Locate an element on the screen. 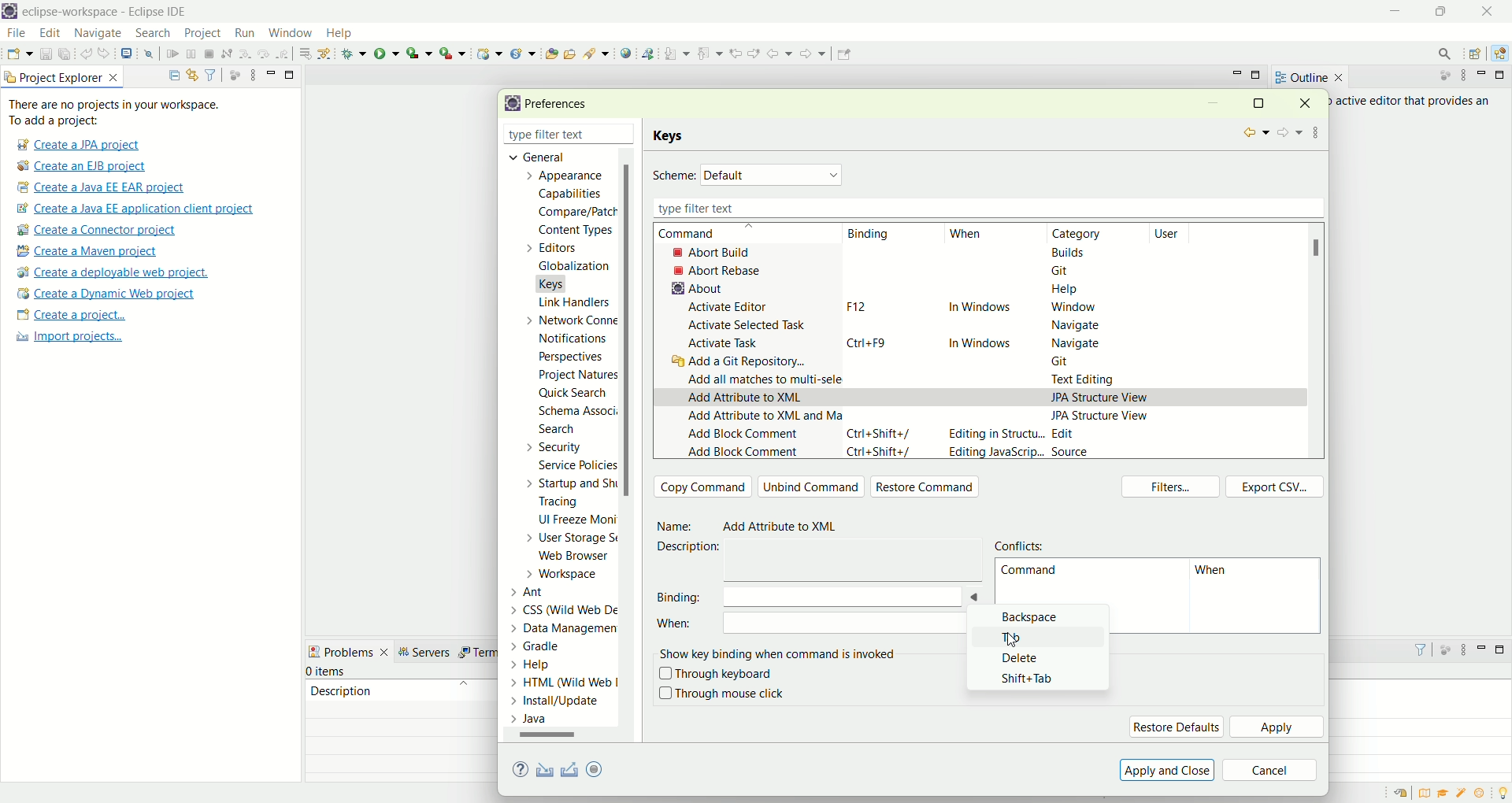 This screenshot has width=1512, height=803. close is located at coordinates (1492, 11).